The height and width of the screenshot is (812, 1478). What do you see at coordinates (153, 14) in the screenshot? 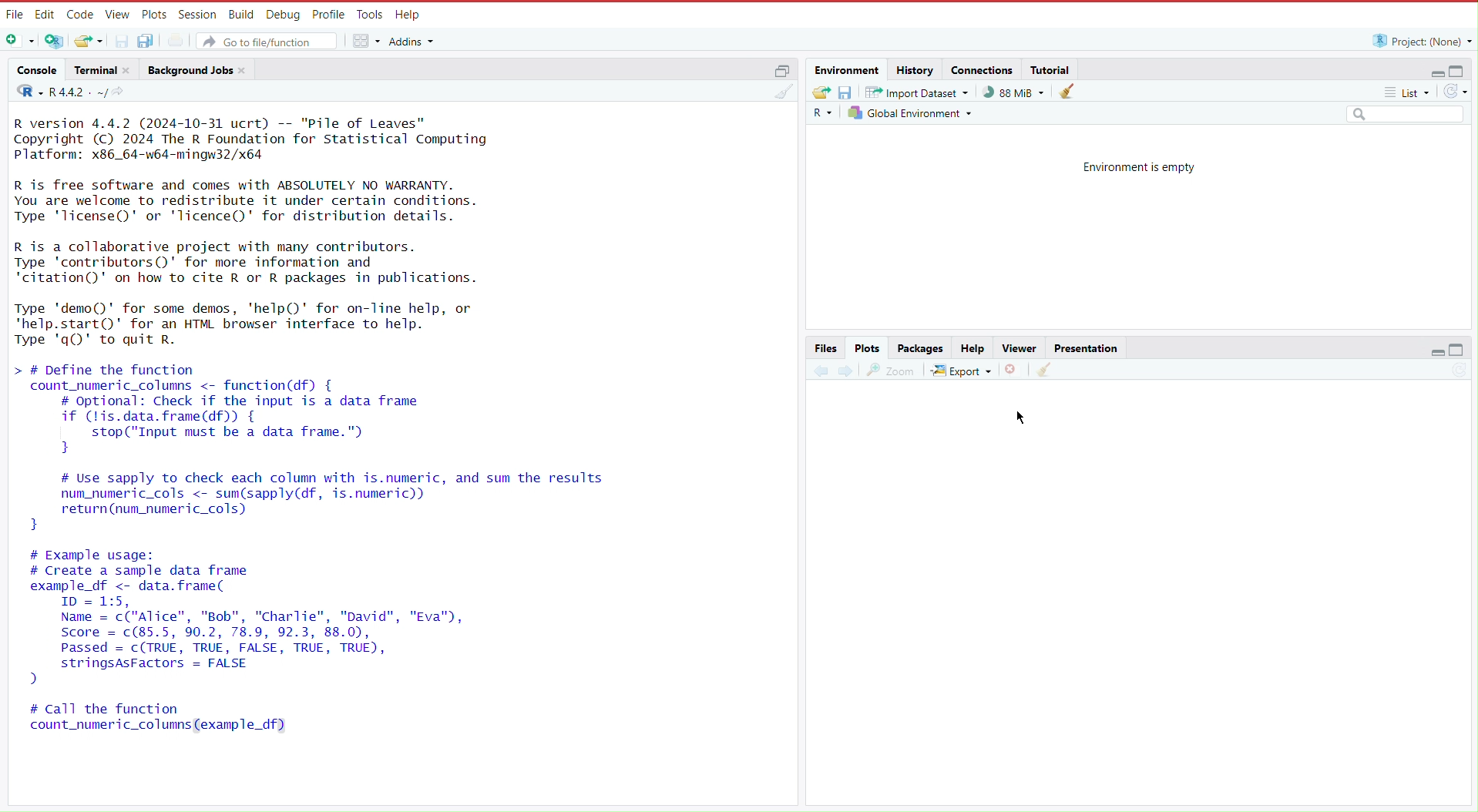
I see `Plots` at bounding box center [153, 14].